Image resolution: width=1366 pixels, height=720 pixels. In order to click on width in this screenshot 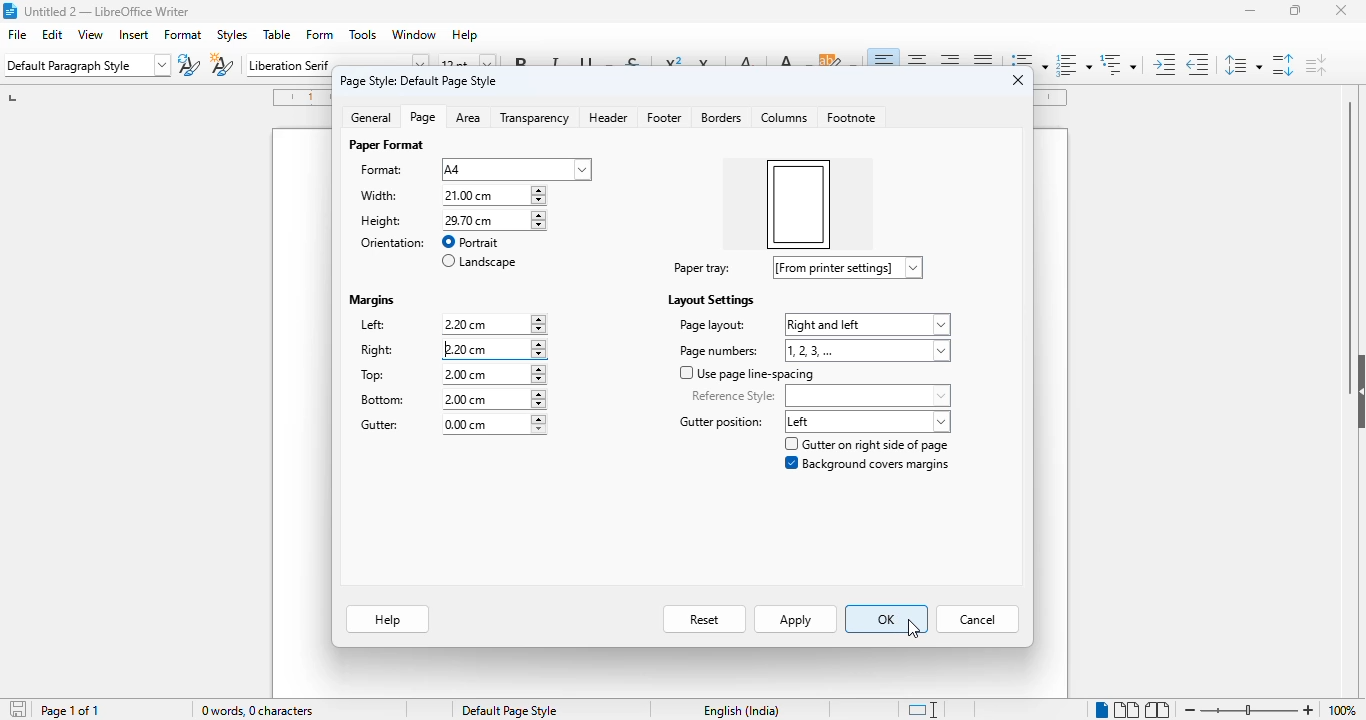, I will do `click(386, 195)`.